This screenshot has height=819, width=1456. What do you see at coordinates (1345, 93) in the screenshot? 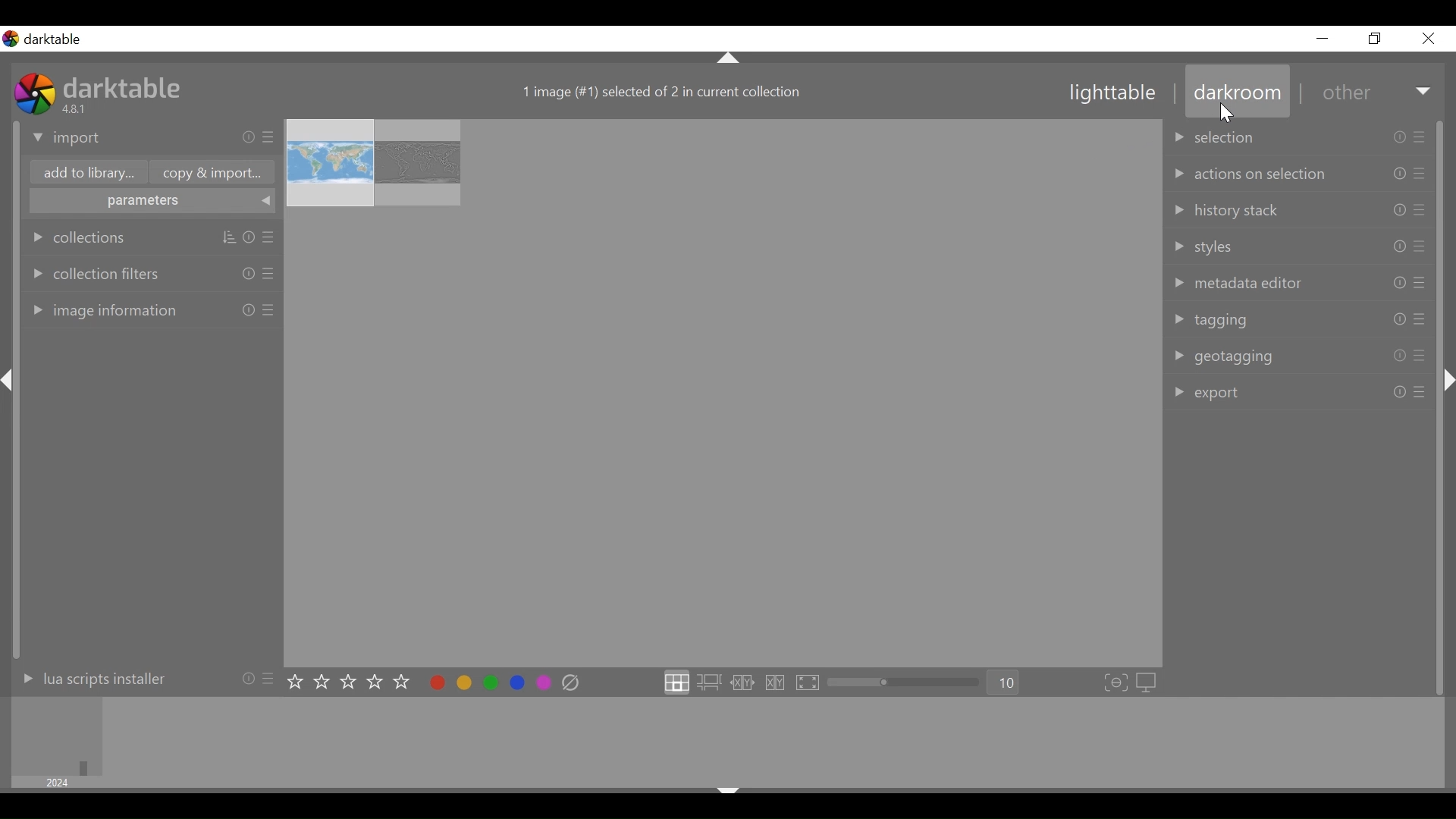
I see `other` at bounding box center [1345, 93].